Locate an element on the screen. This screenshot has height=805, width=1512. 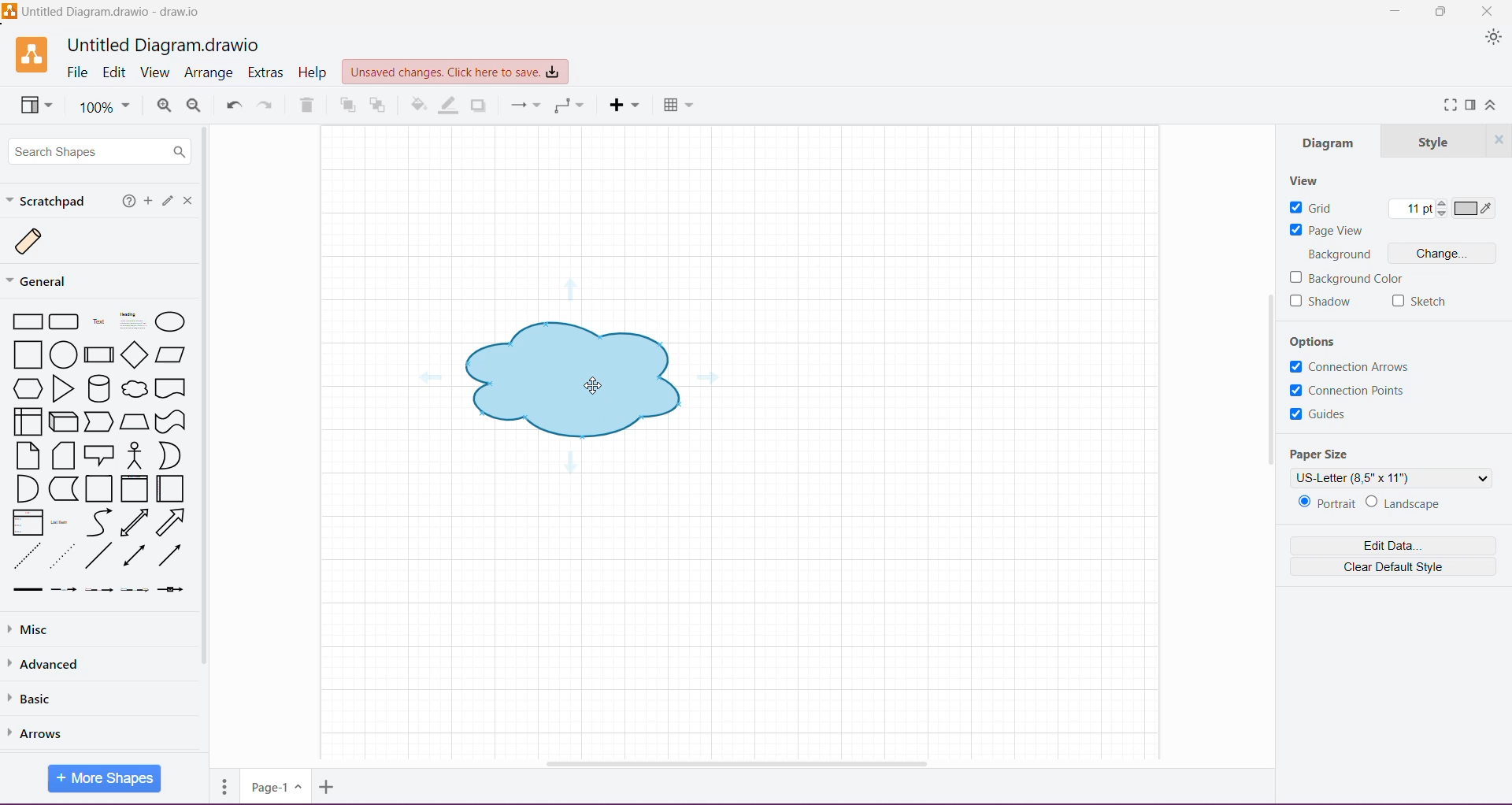
Shadow is located at coordinates (479, 106).